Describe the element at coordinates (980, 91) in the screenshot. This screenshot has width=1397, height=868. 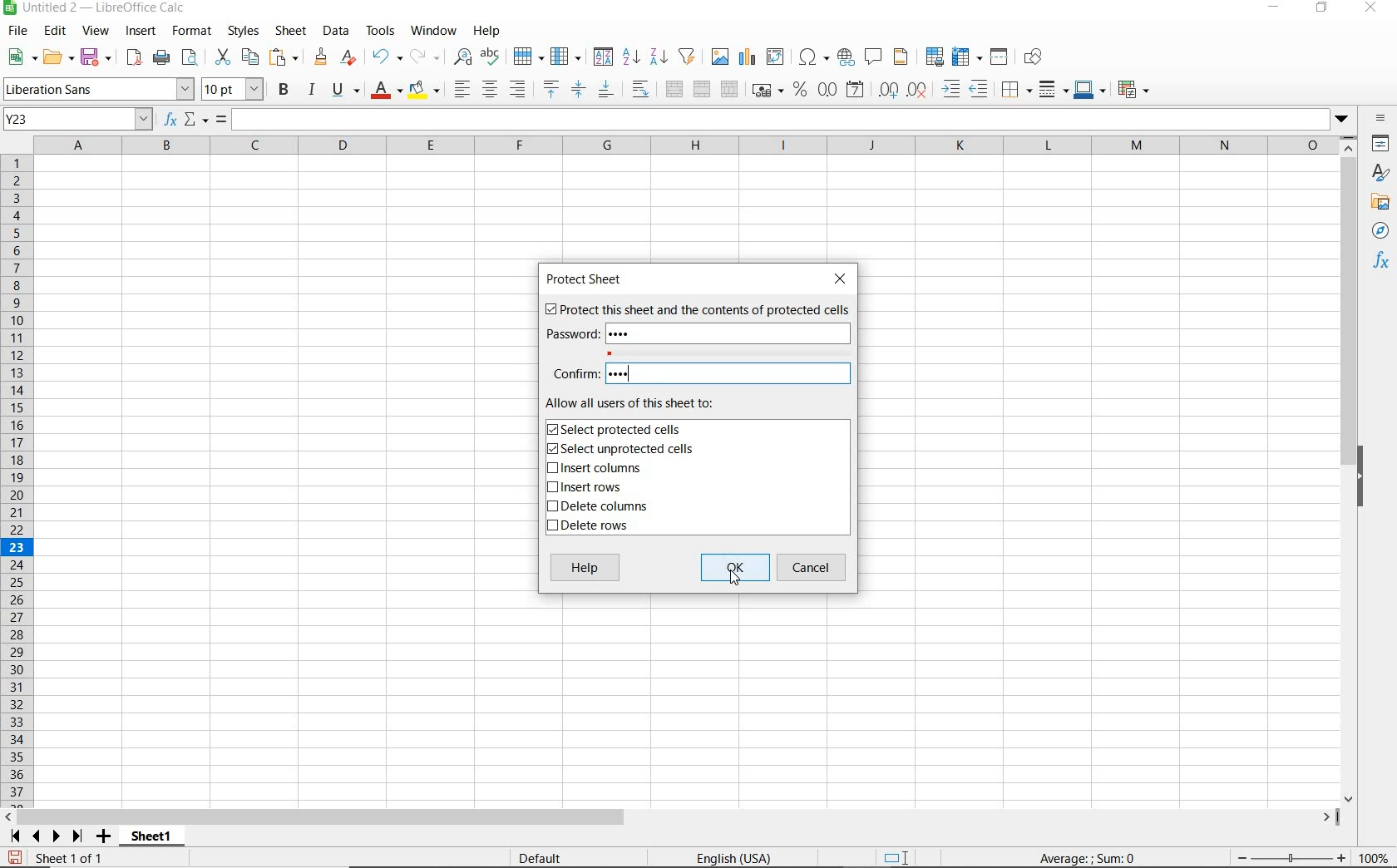
I see `DECREASE INDENT` at that location.